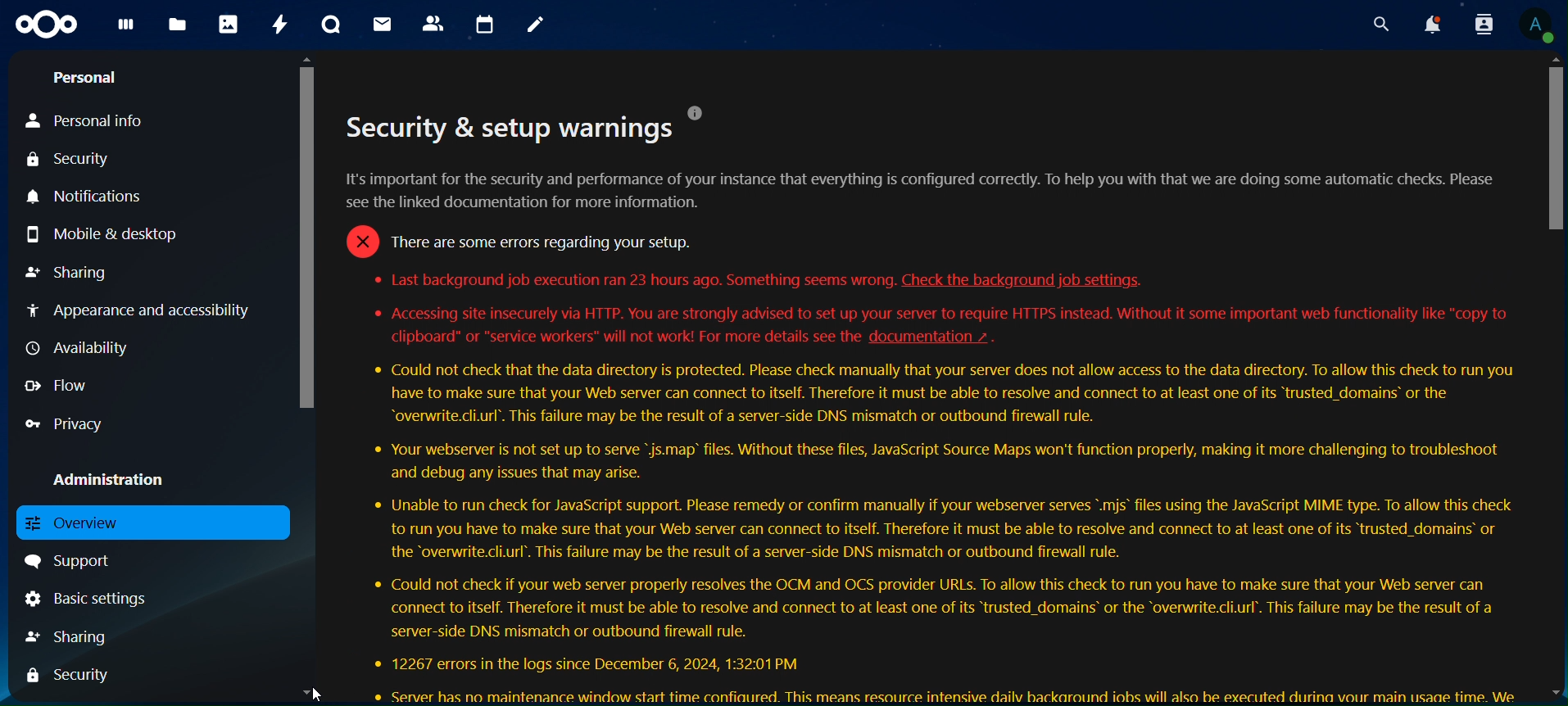 This screenshot has width=1568, height=706. I want to click on sharing, so click(75, 273).